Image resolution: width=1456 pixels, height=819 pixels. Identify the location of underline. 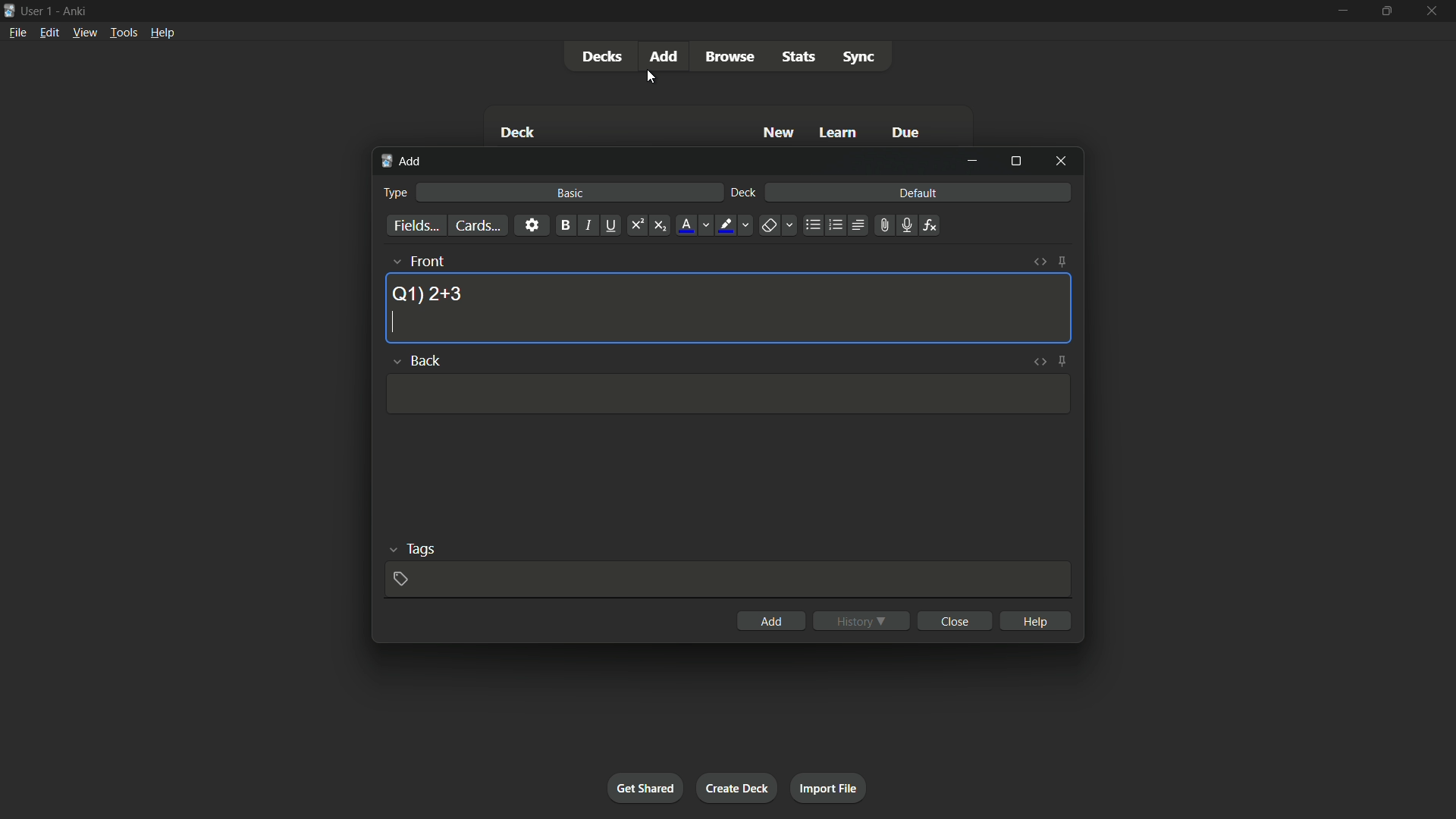
(610, 225).